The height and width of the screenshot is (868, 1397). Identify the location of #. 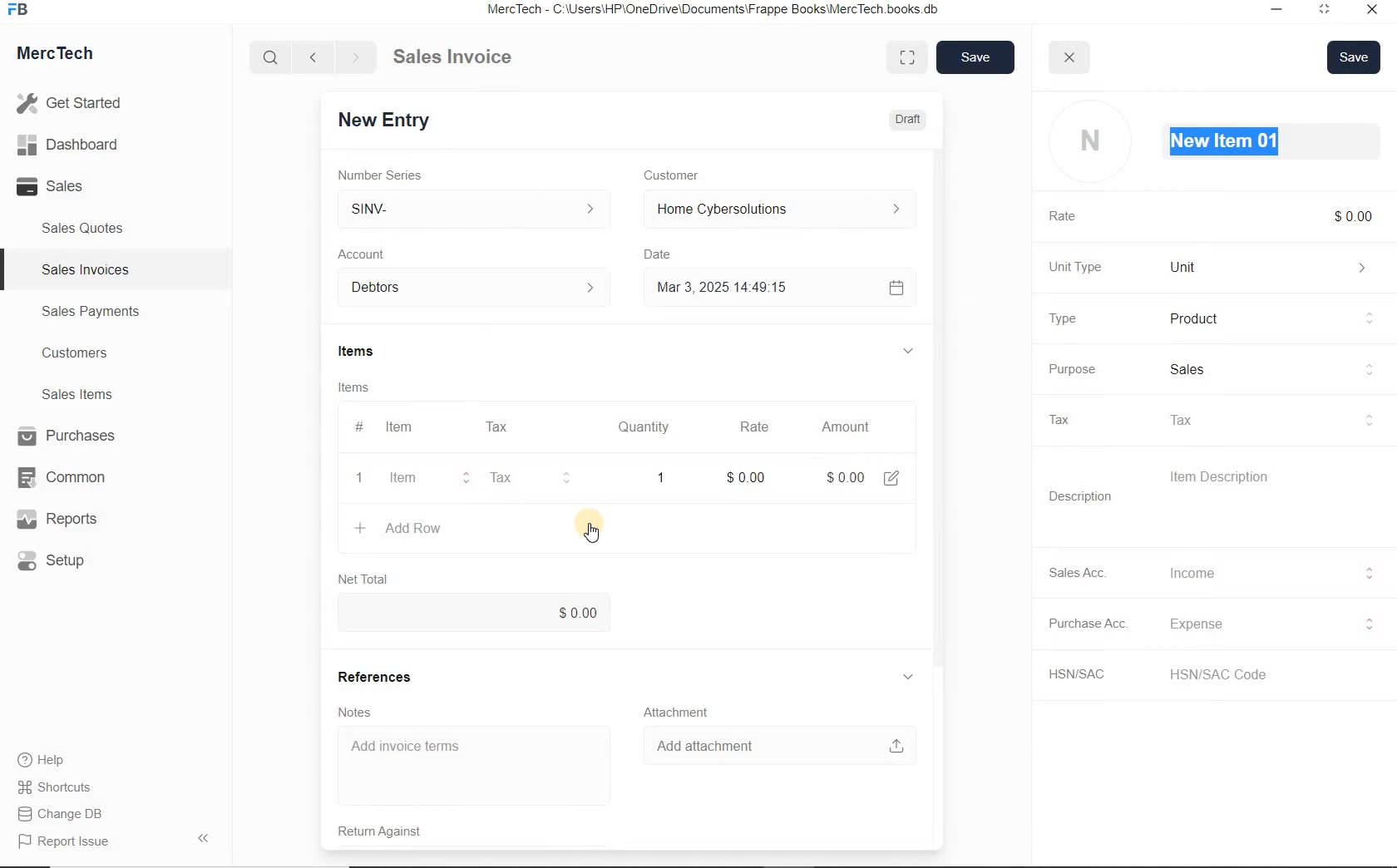
(540, 427).